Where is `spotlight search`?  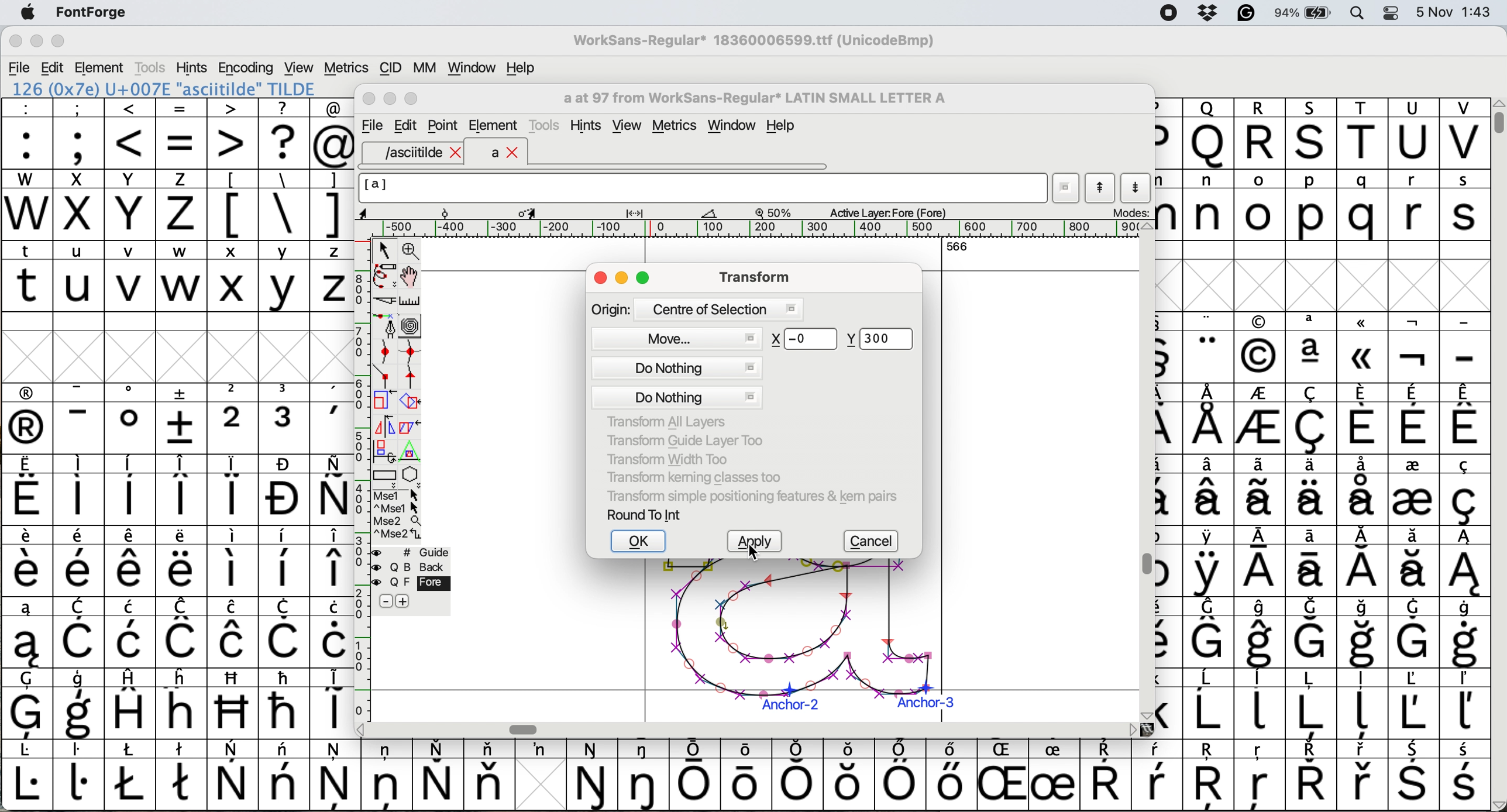 spotlight search is located at coordinates (1364, 12).